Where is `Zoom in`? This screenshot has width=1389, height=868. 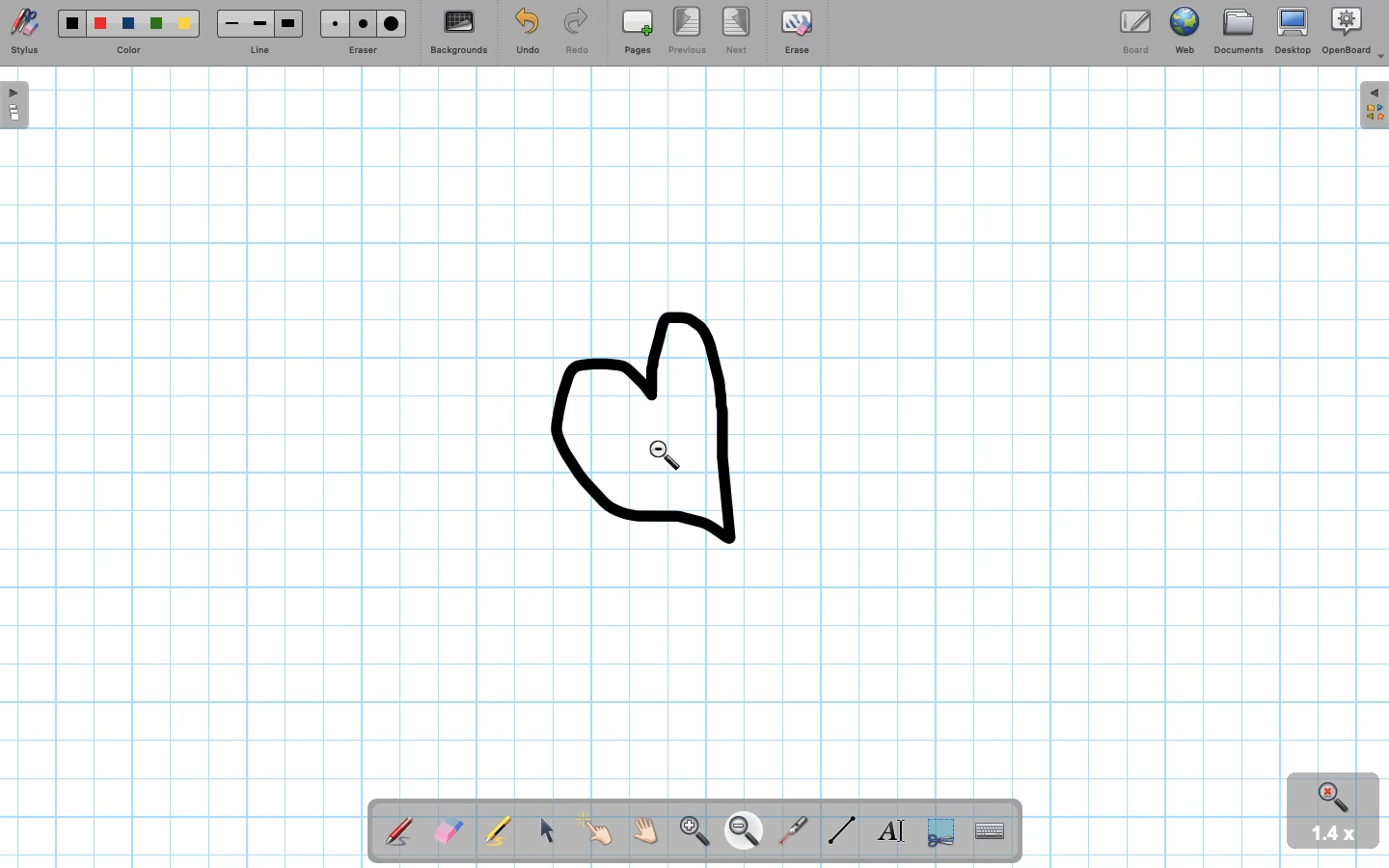 Zoom in is located at coordinates (1339, 796).